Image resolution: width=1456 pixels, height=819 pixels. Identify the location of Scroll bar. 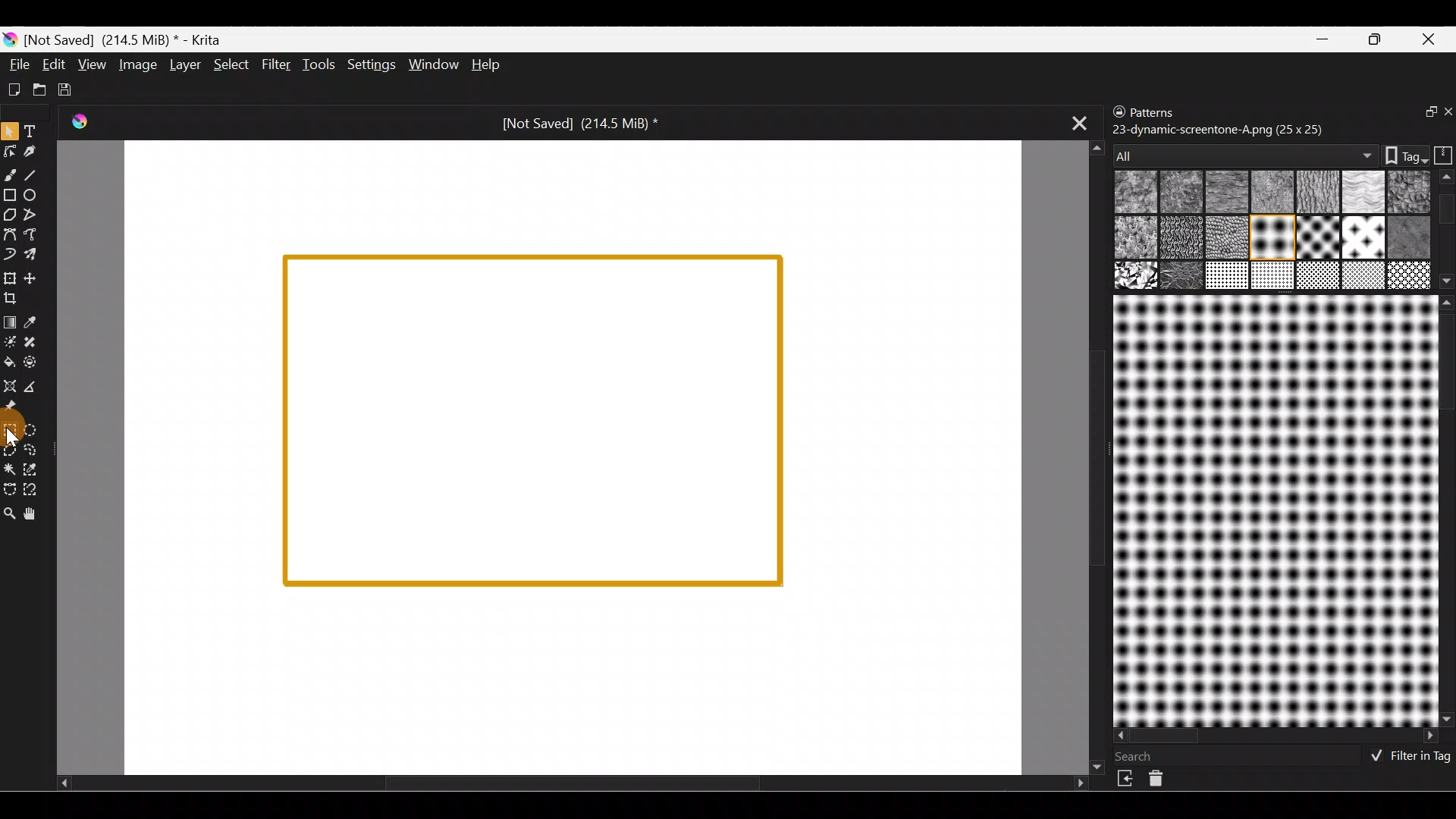
(1447, 230).